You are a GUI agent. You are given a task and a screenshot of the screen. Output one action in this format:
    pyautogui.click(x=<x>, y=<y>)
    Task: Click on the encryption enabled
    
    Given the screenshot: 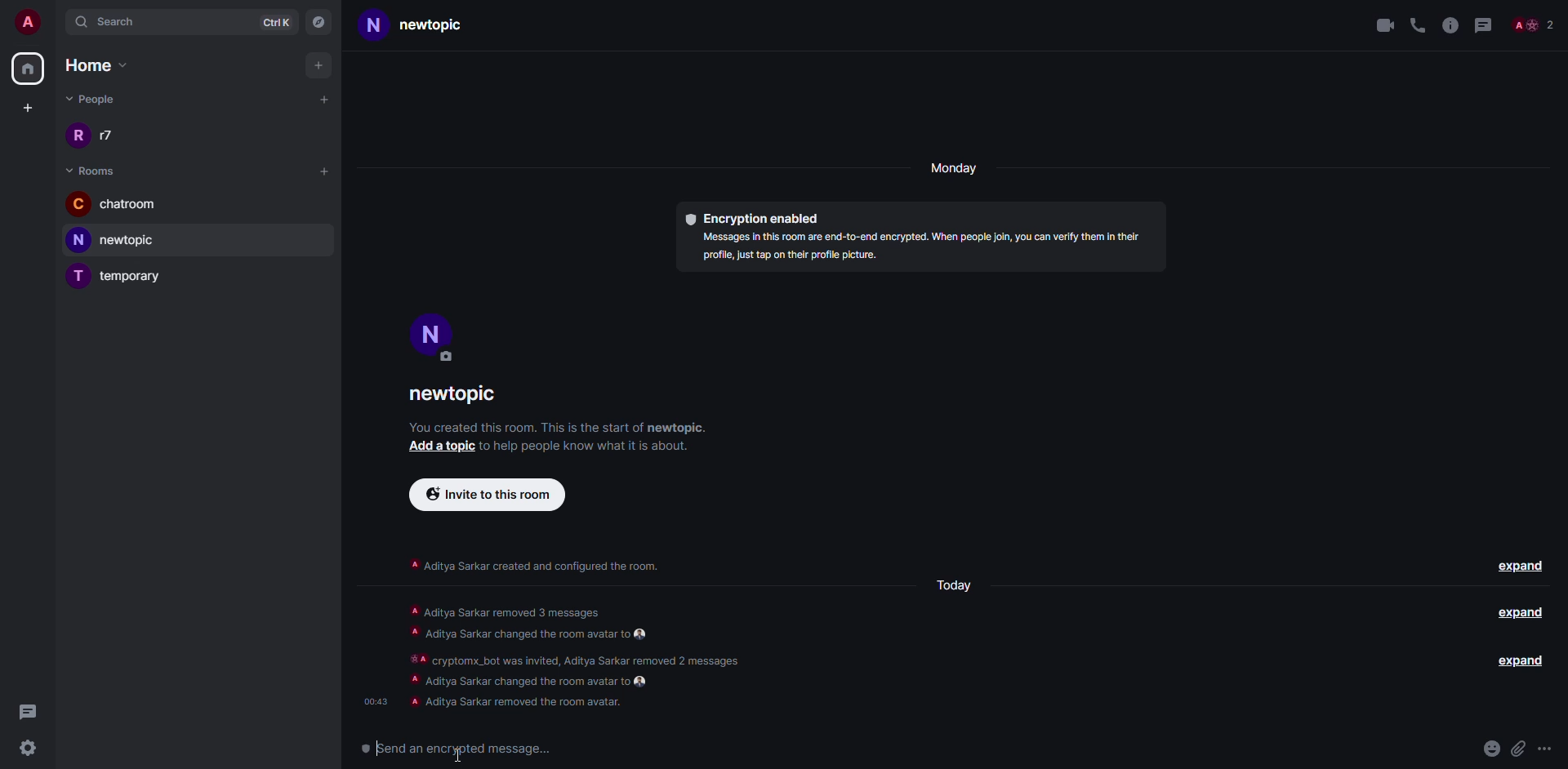 What is the action you would take?
    pyautogui.click(x=751, y=214)
    